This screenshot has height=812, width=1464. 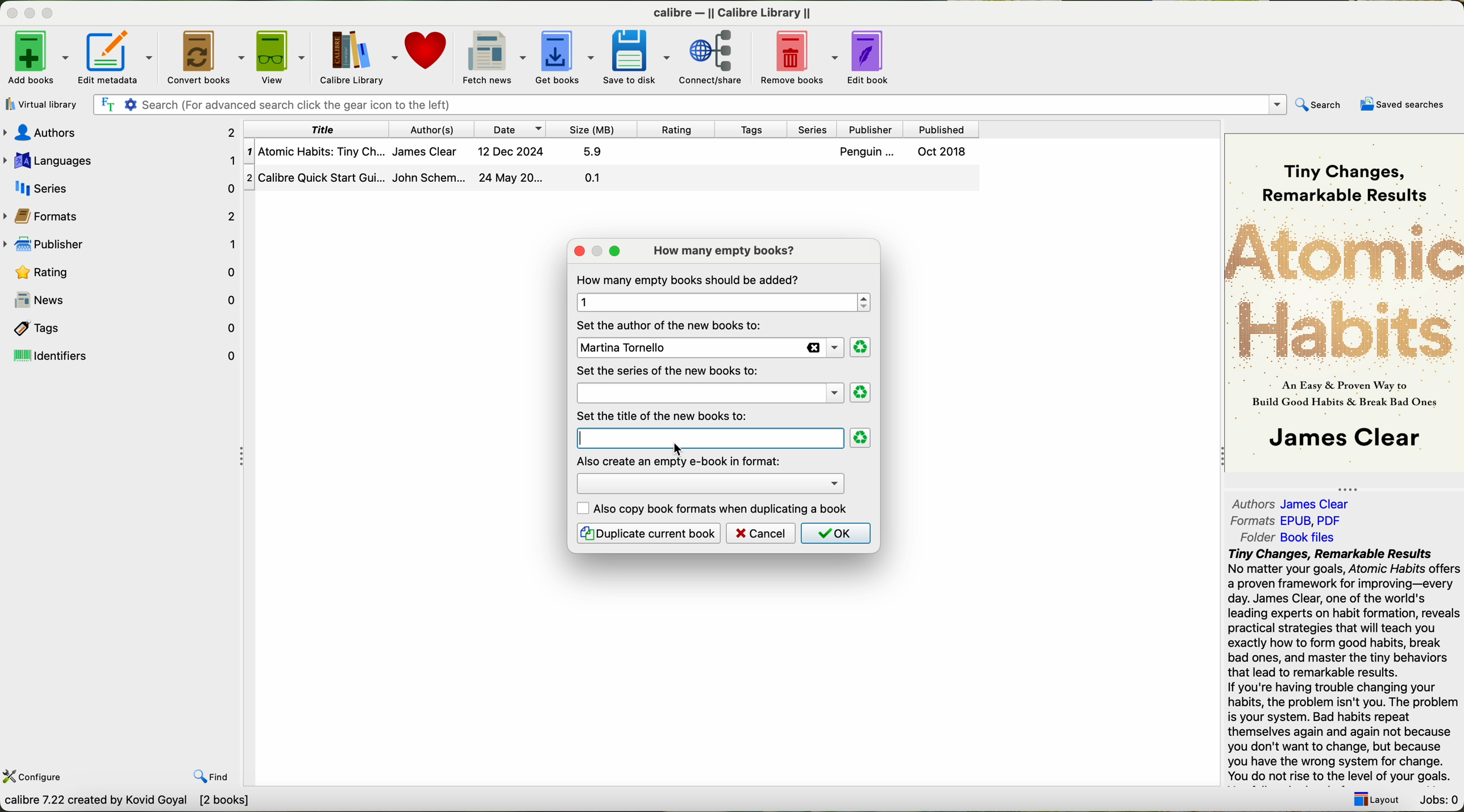 I want to click on set the author of the new books to, so click(x=672, y=324).